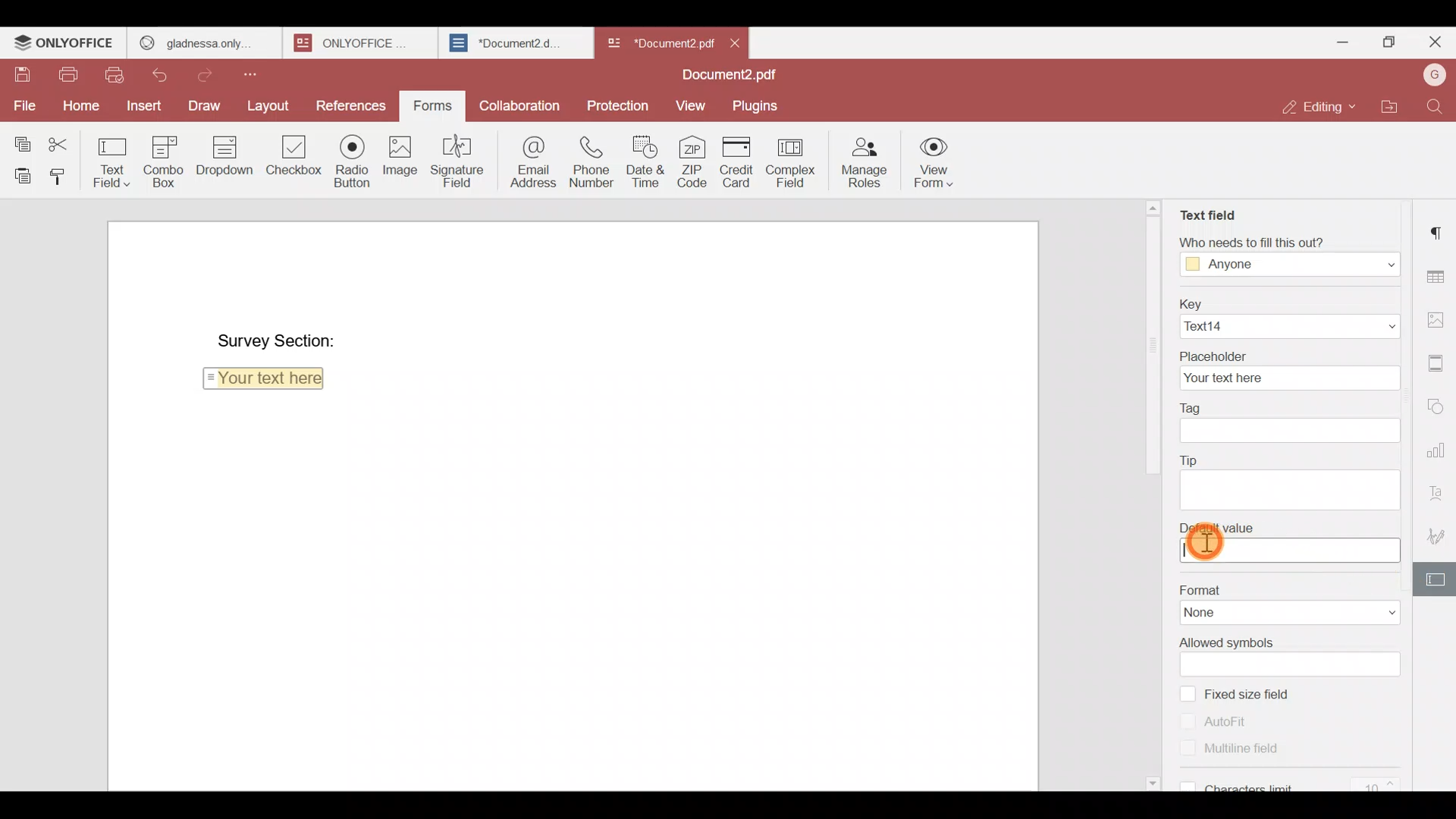  I want to click on ONLYOFFICE, so click(64, 42).